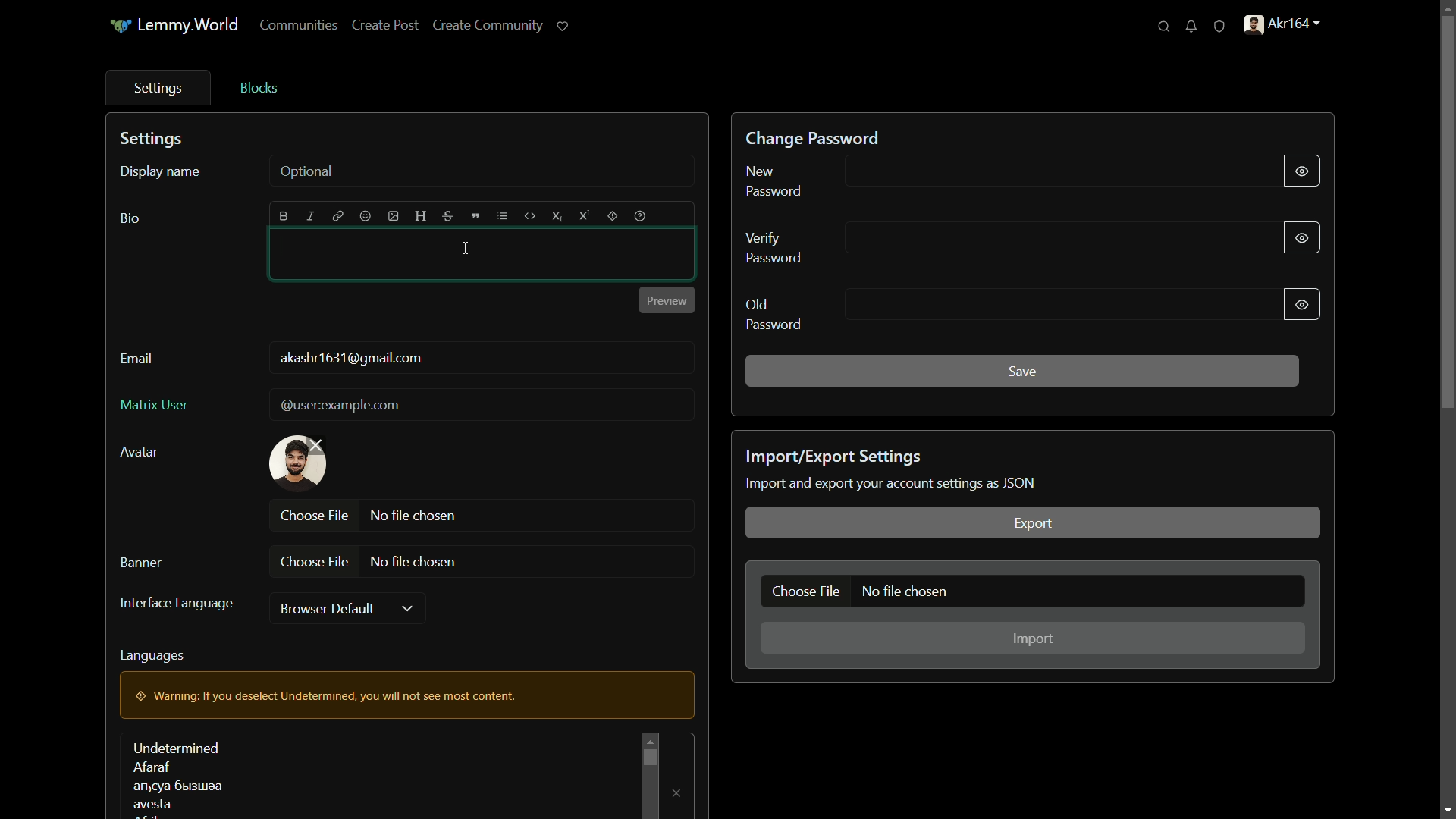 Image resolution: width=1456 pixels, height=819 pixels. I want to click on support lemmy.world, so click(563, 24).